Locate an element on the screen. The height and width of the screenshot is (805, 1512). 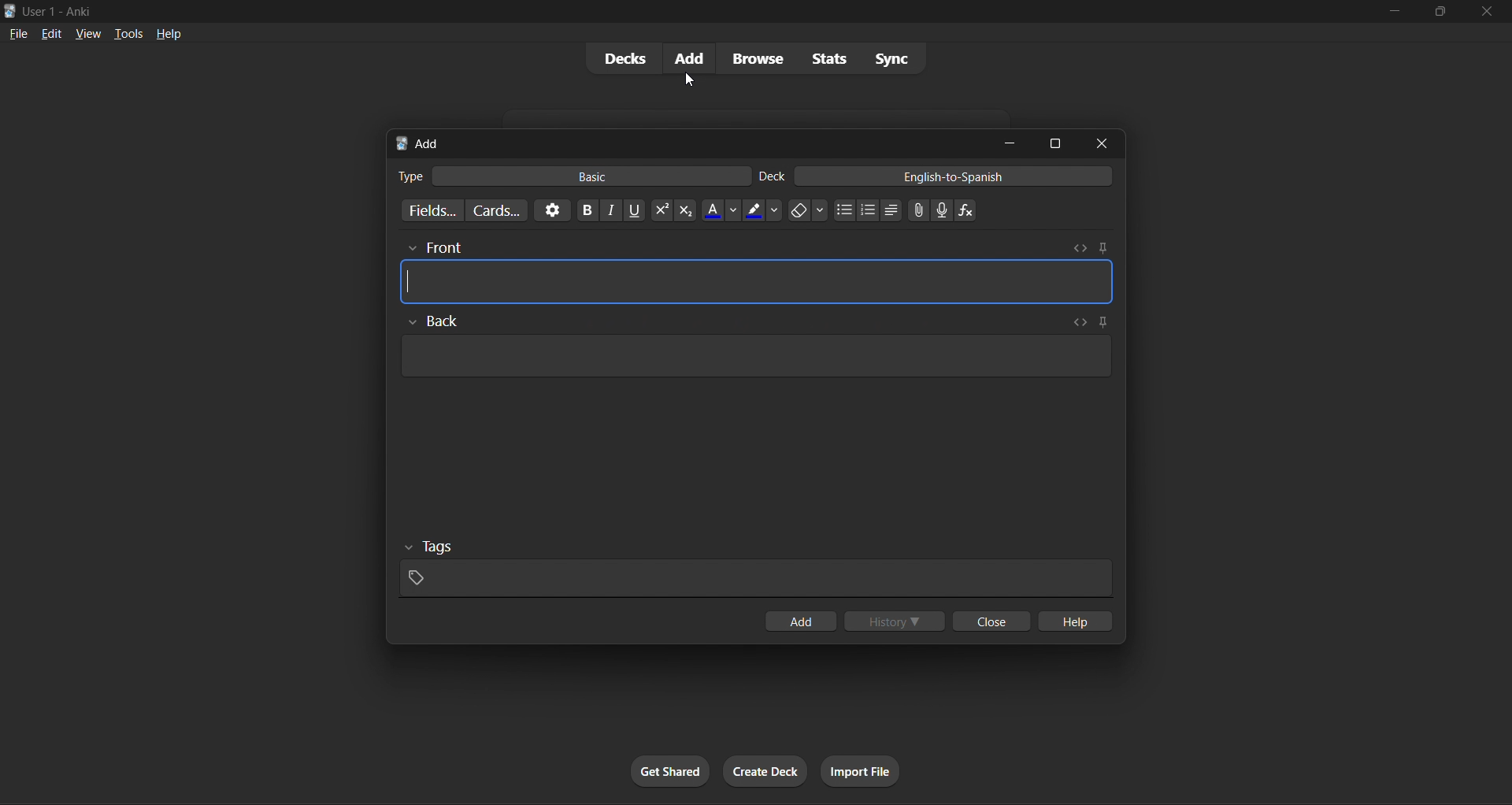
text styling is located at coordinates (785, 210).